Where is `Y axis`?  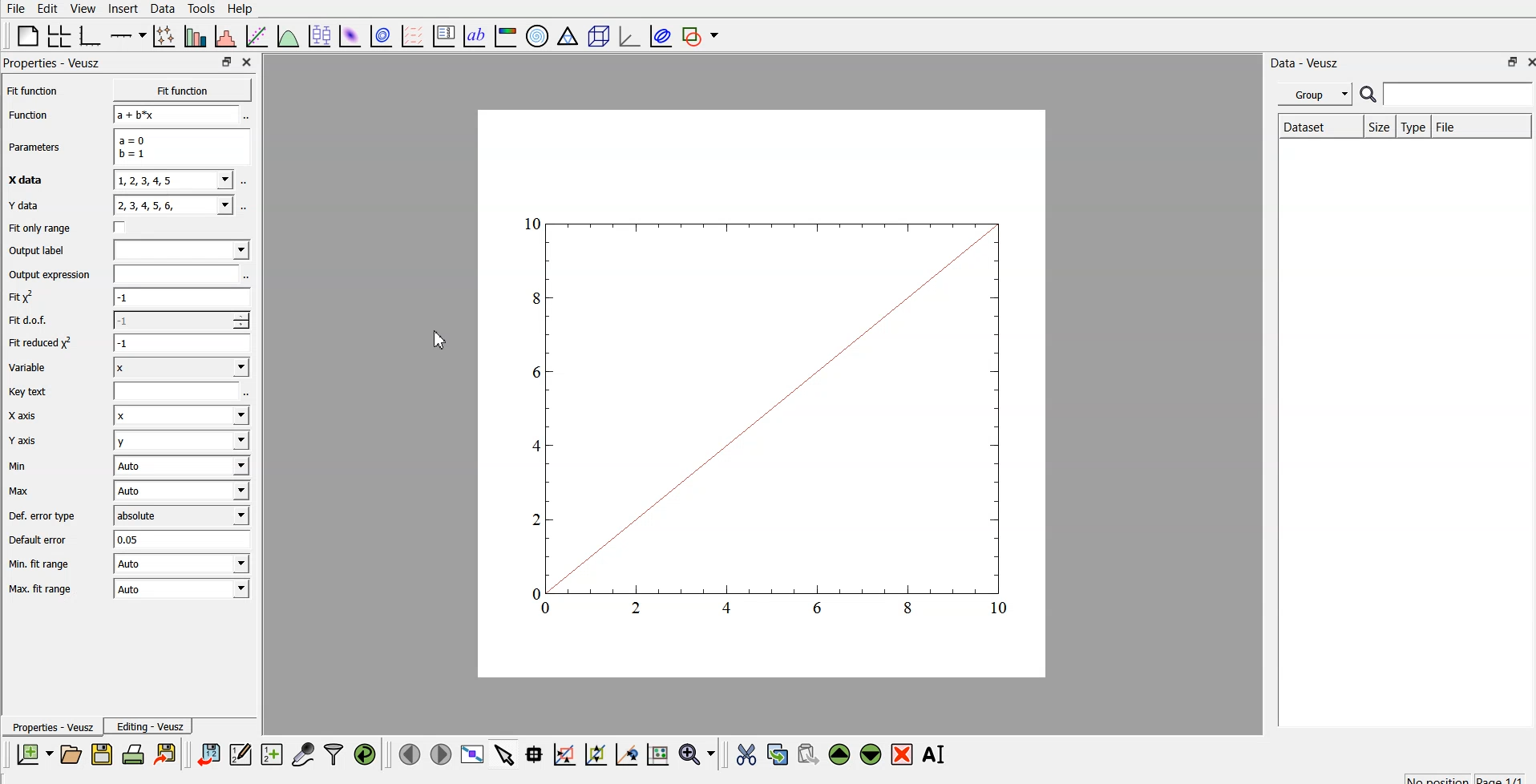
Y axis is located at coordinates (39, 441).